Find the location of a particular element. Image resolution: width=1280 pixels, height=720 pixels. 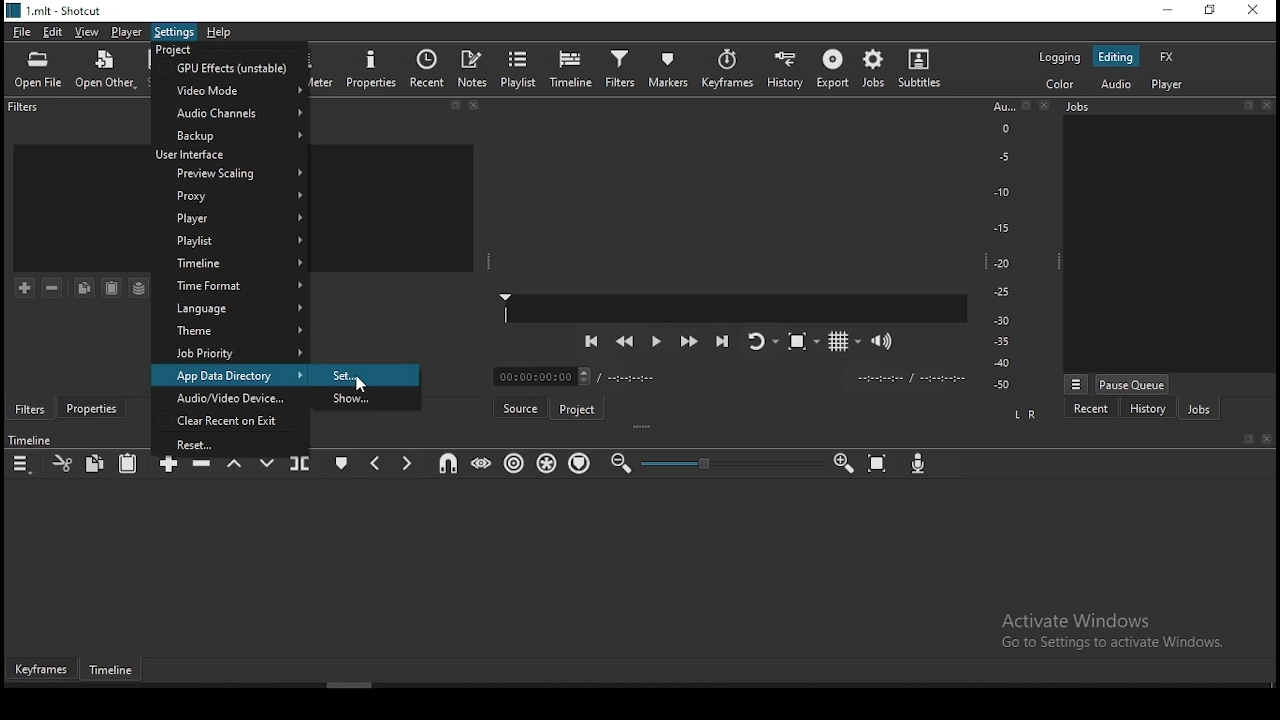

show volume control is located at coordinates (885, 338).